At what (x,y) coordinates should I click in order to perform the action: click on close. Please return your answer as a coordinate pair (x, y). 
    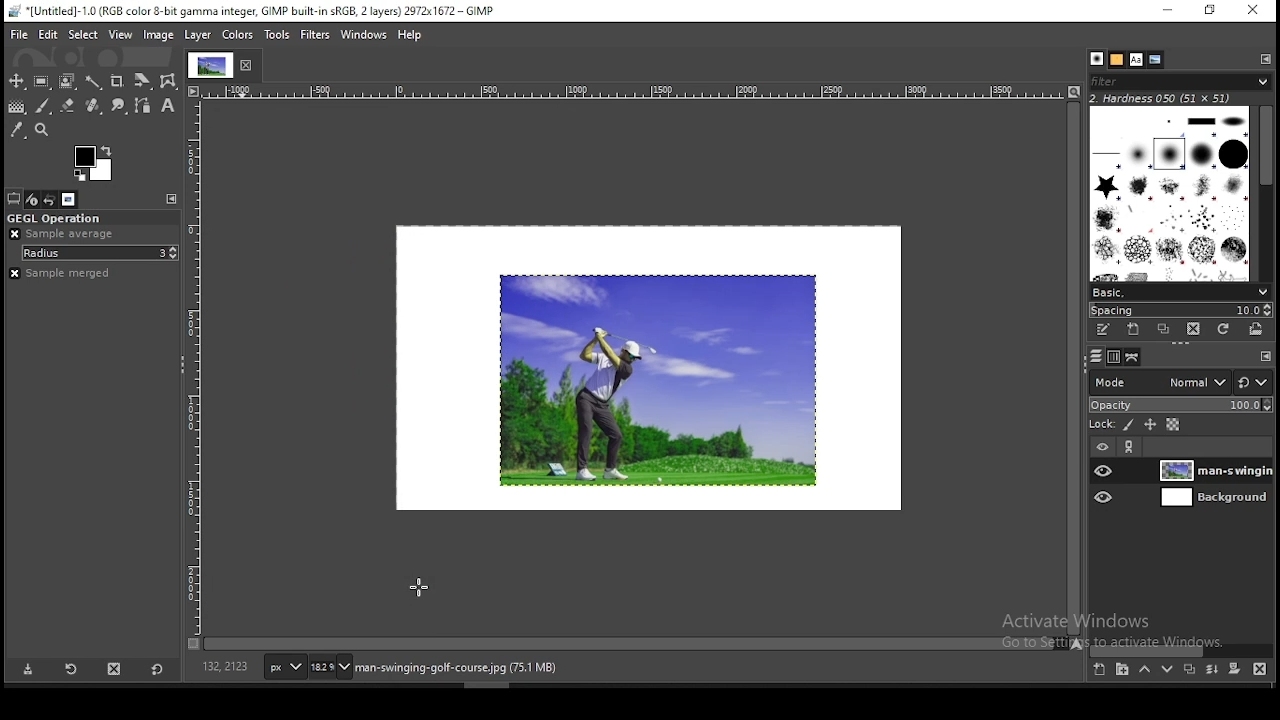
    Looking at the image, I should click on (249, 70).